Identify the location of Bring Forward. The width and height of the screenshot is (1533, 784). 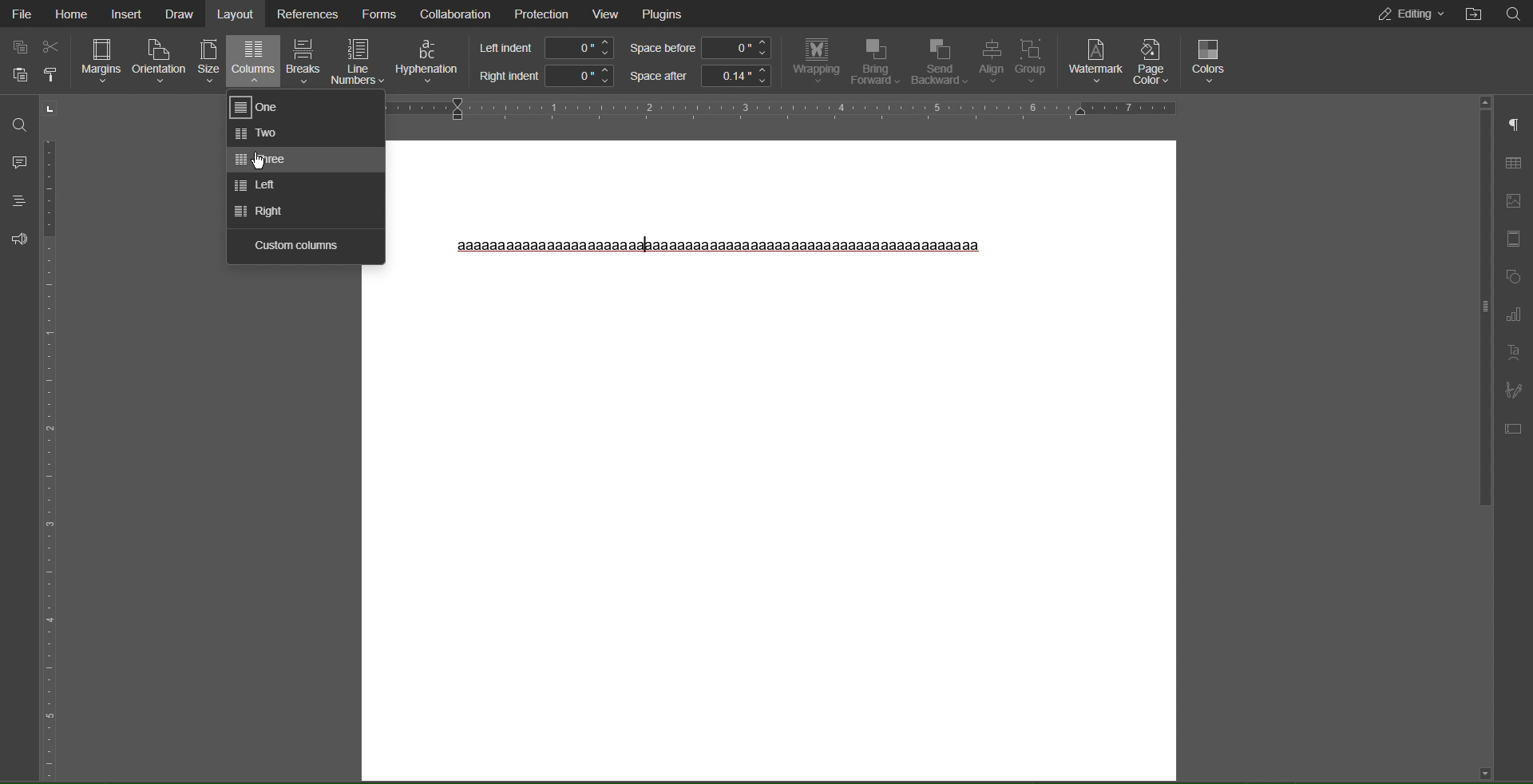
(877, 61).